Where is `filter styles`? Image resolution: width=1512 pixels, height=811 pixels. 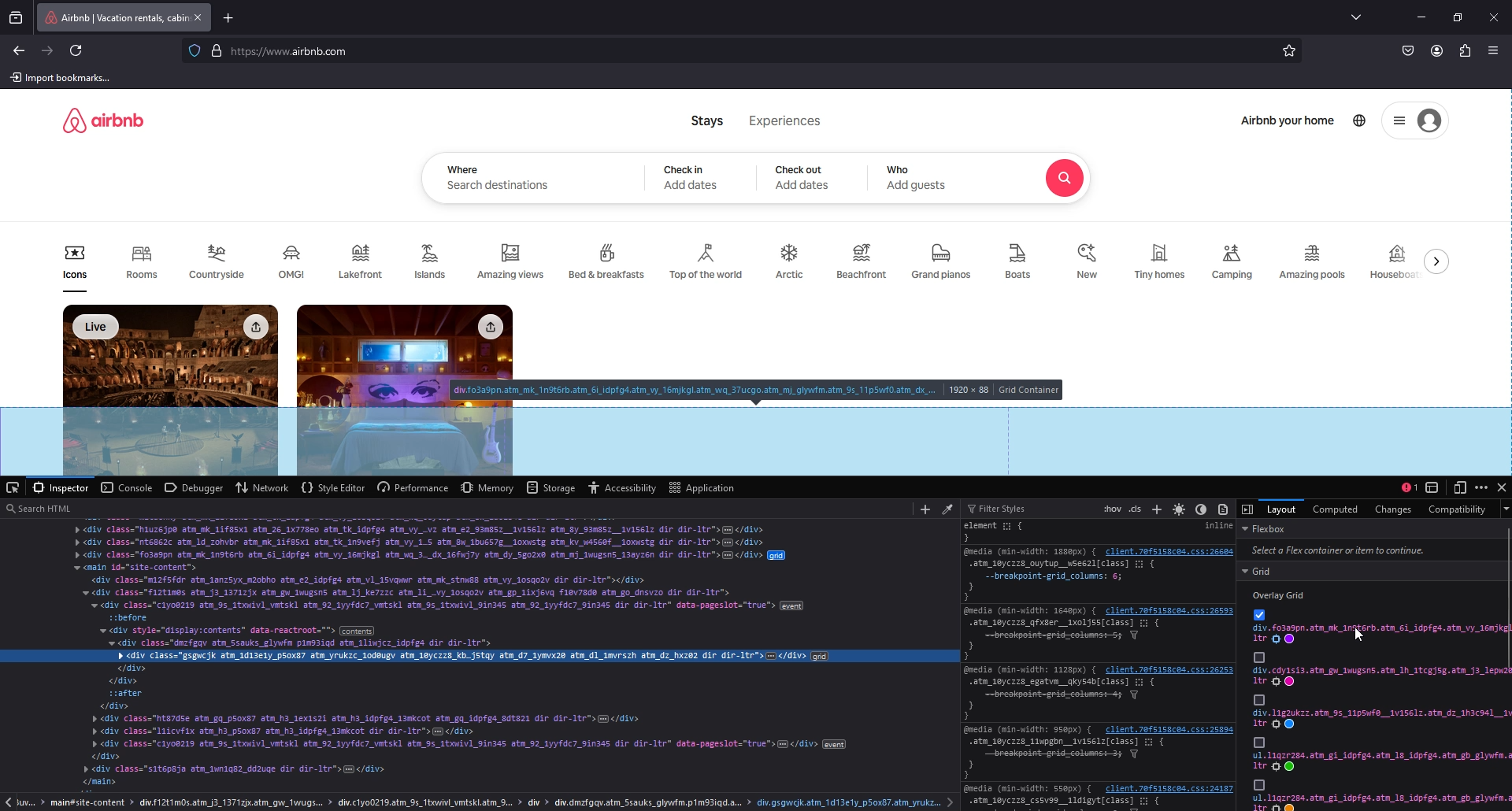
filter styles is located at coordinates (1001, 509).